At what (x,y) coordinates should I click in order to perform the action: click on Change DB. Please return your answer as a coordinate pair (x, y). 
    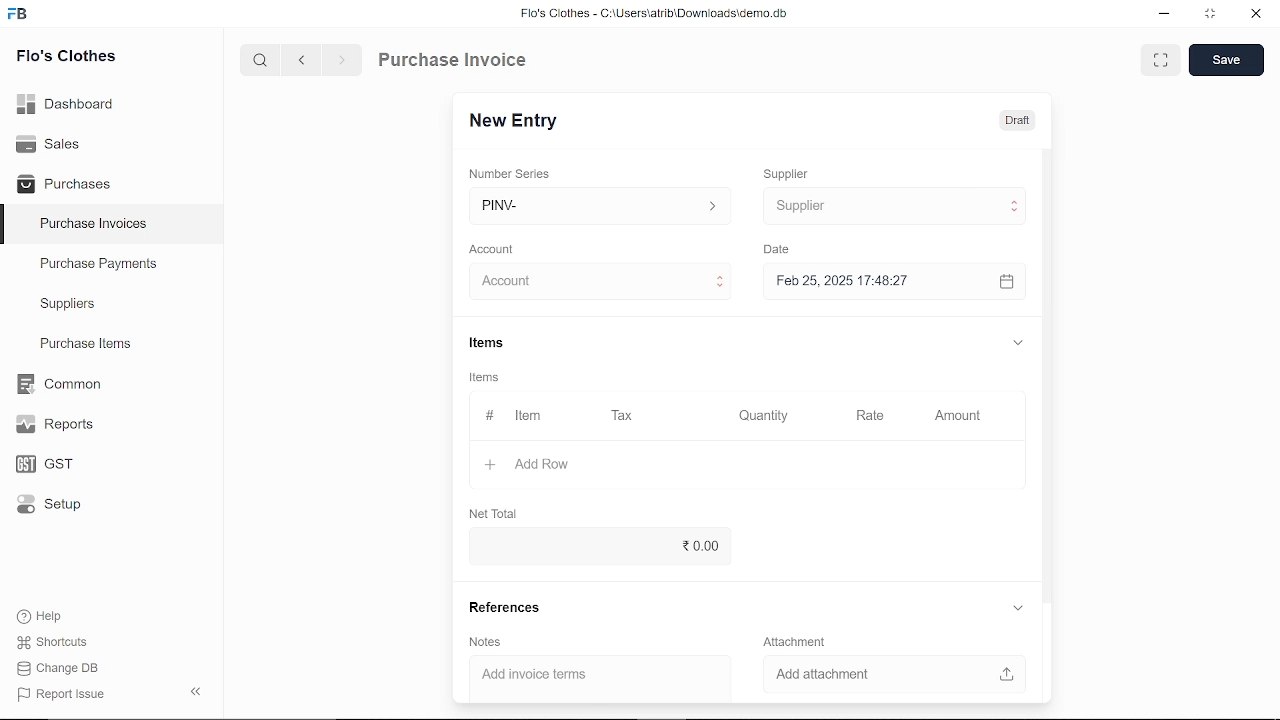
    Looking at the image, I should click on (58, 670).